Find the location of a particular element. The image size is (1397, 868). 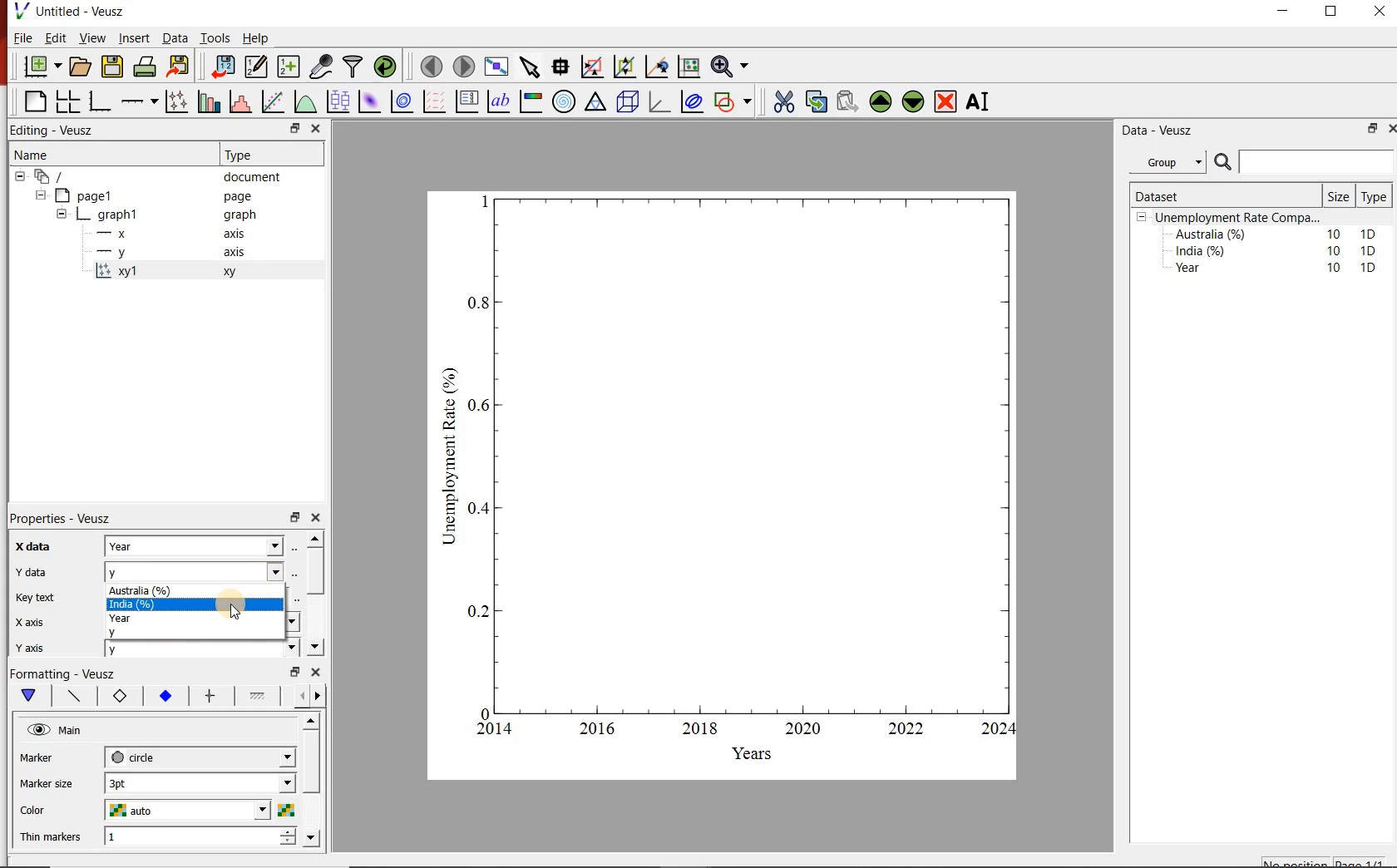

auto is located at coordinates (190, 811).